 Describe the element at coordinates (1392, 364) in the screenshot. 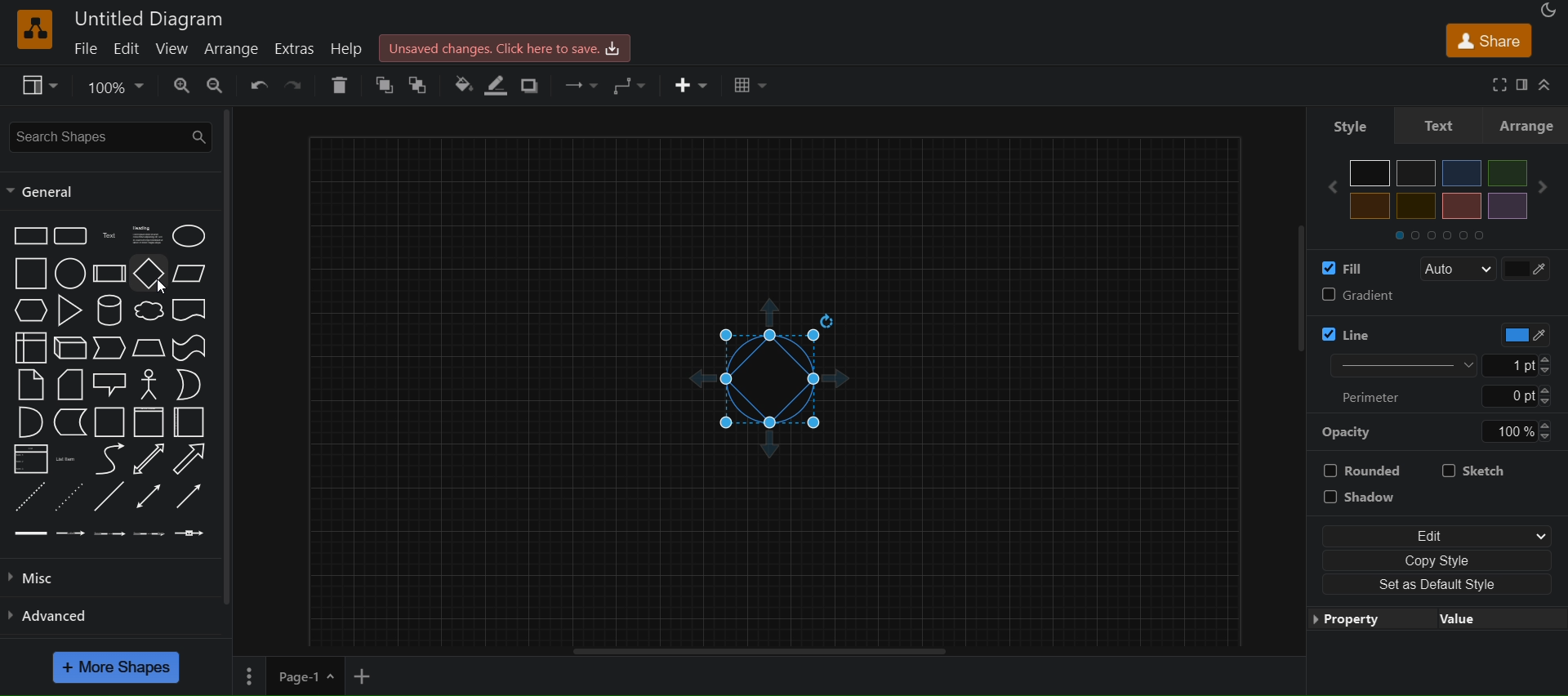

I see `line thickness` at that location.